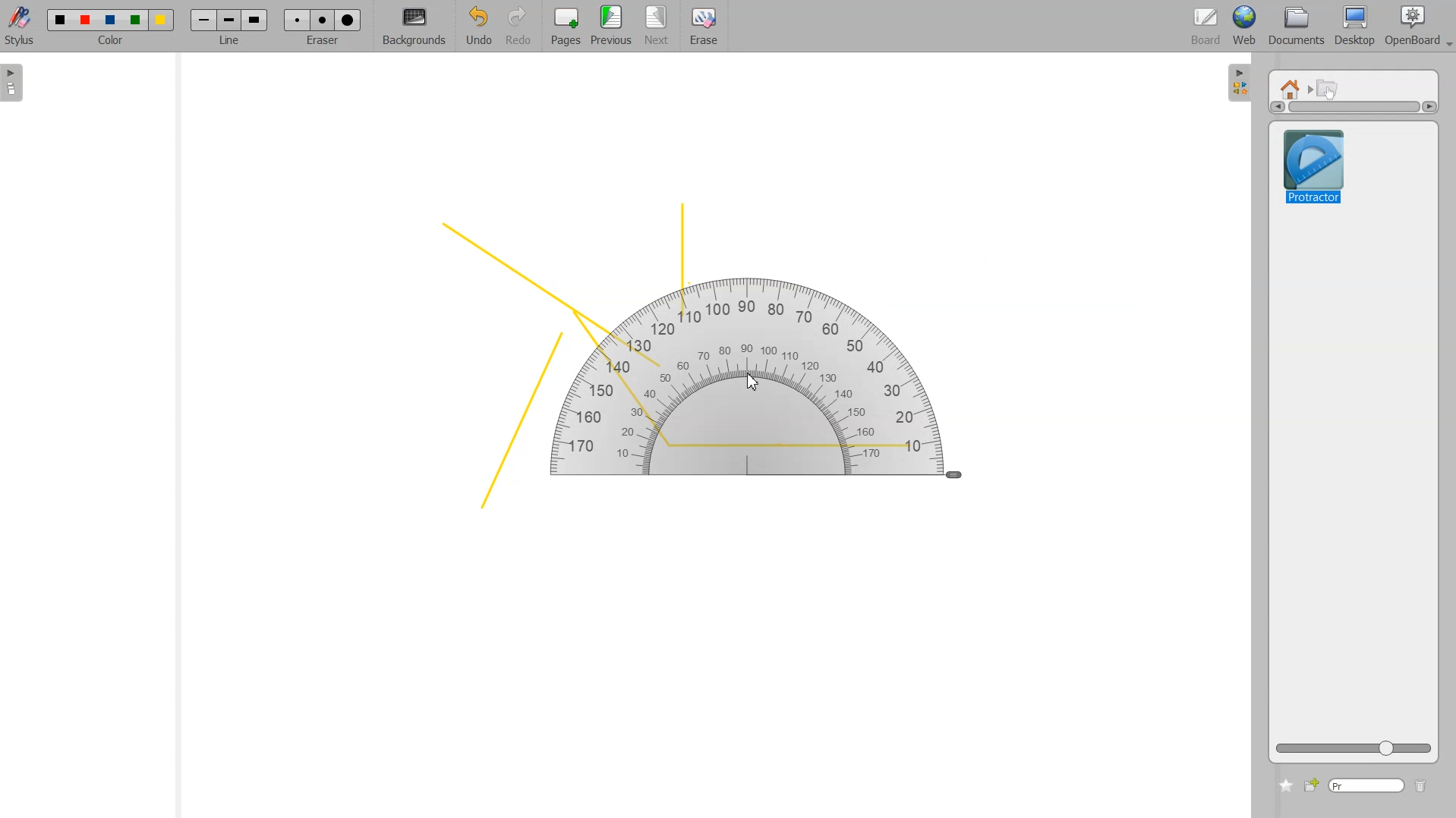 Image resolution: width=1456 pixels, height=818 pixels. I want to click on Redo, so click(518, 27).